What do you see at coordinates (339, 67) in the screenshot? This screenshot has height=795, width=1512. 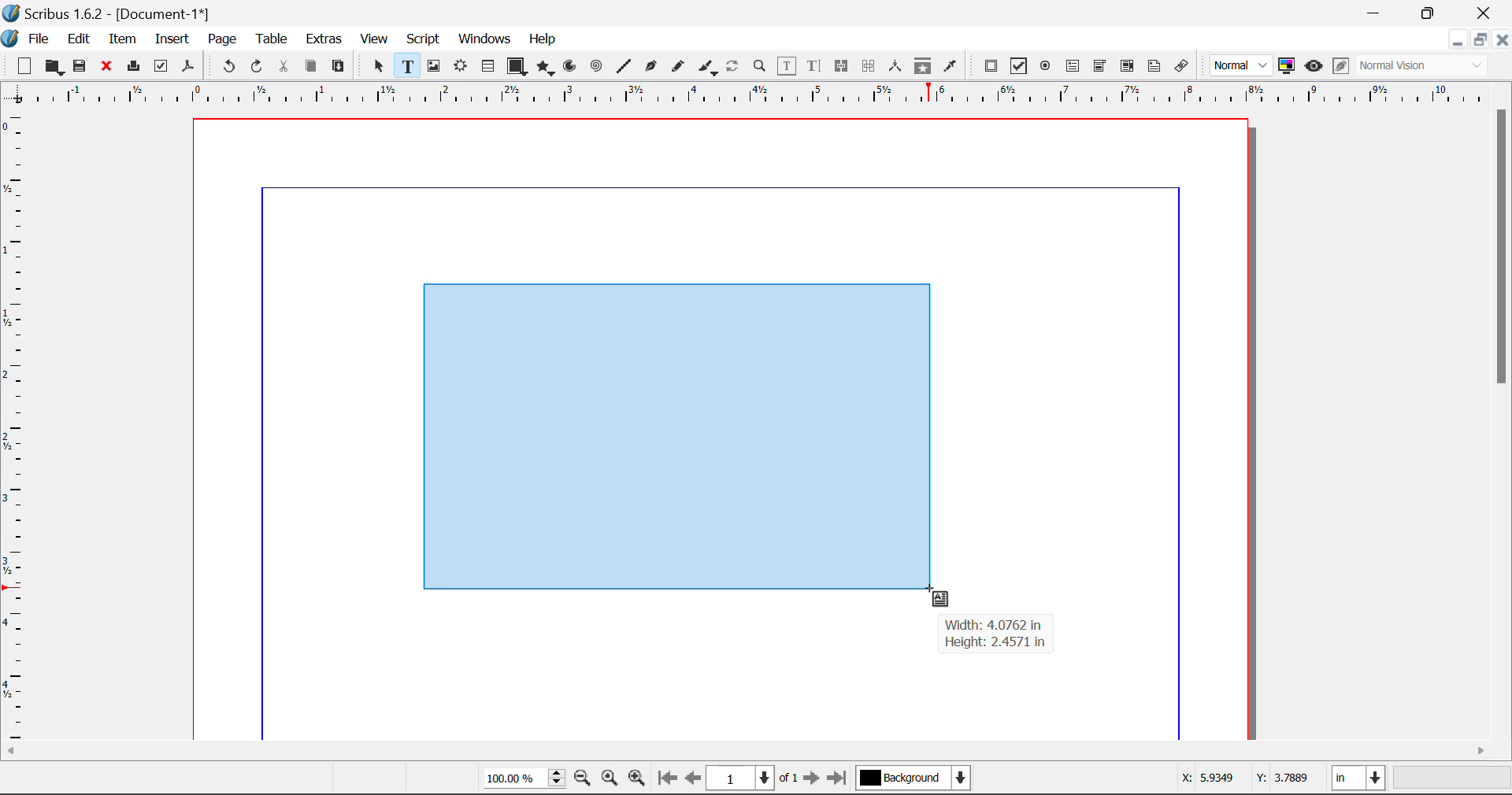 I see `Paste` at bounding box center [339, 67].